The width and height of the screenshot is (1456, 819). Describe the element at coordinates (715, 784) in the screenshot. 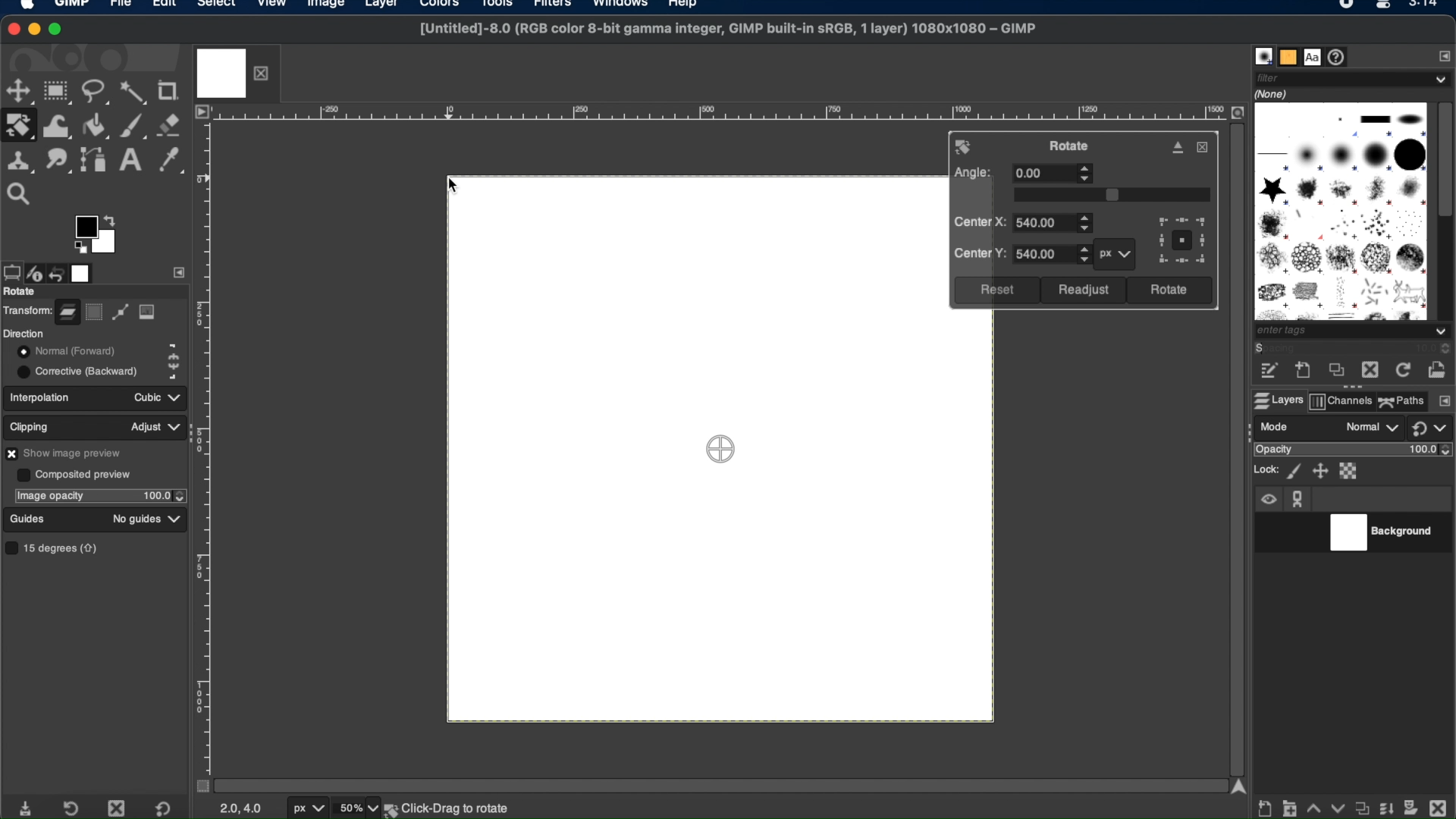

I see `scroll bar` at that location.